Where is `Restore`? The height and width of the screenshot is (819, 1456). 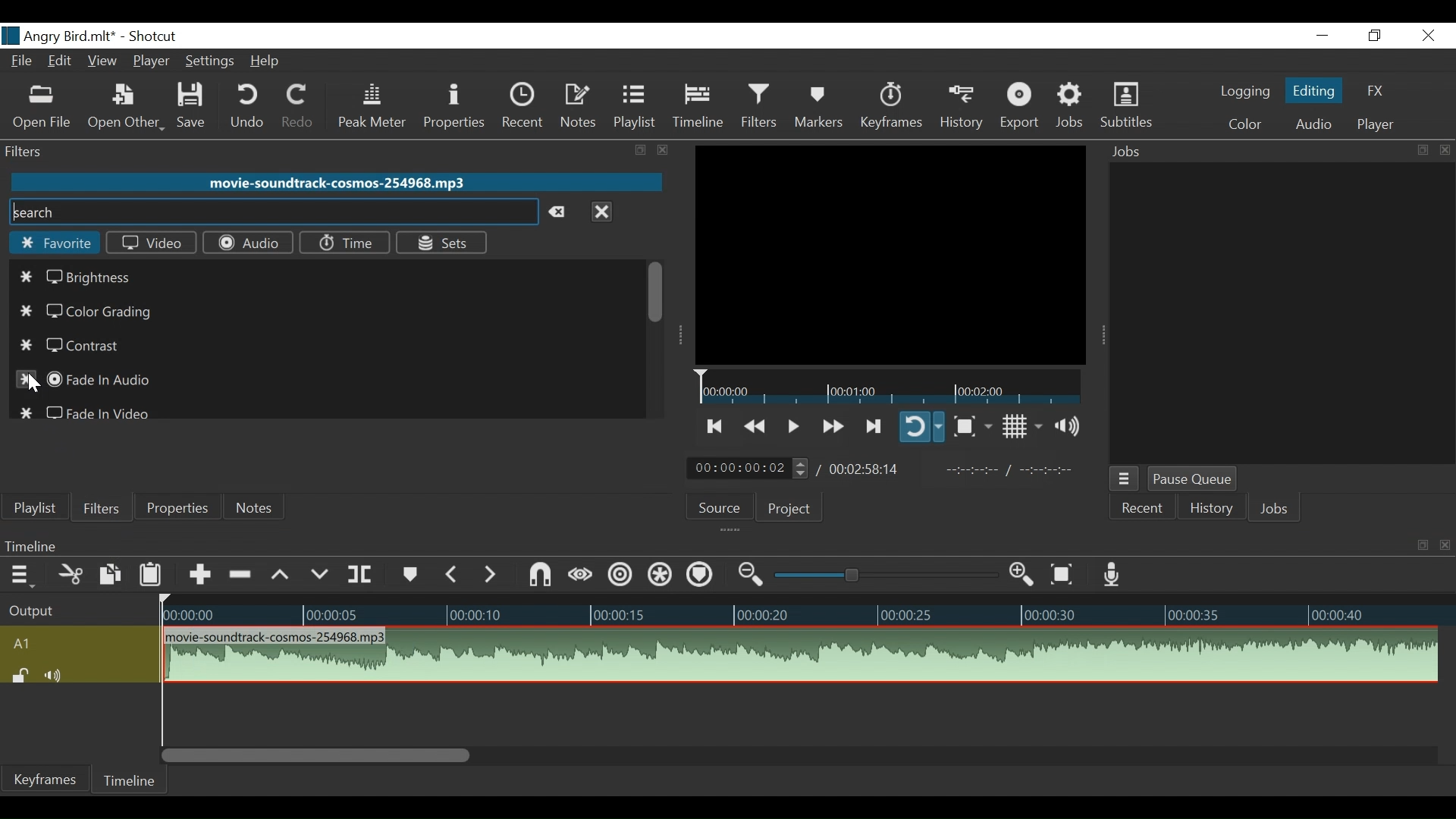
Restore is located at coordinates (1375, 36).